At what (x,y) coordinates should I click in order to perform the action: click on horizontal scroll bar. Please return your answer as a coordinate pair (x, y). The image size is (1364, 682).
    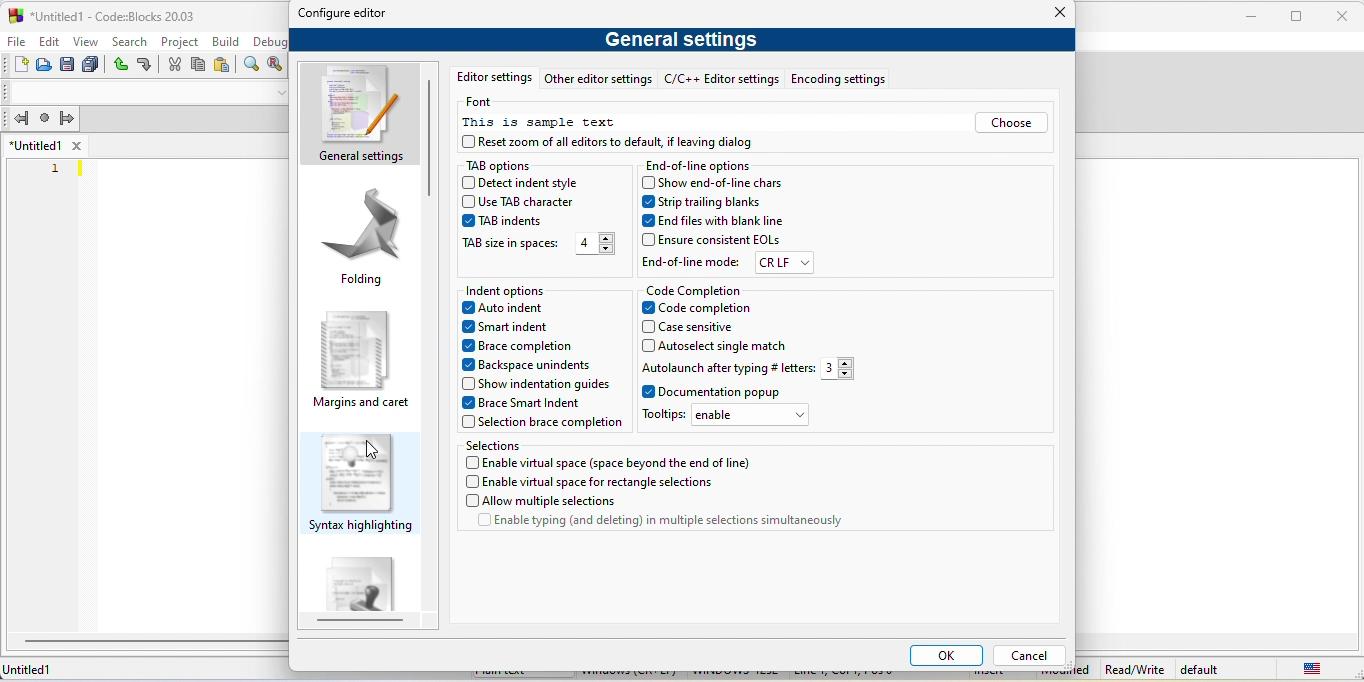
    Looking at the image, I should click on (360, 622).